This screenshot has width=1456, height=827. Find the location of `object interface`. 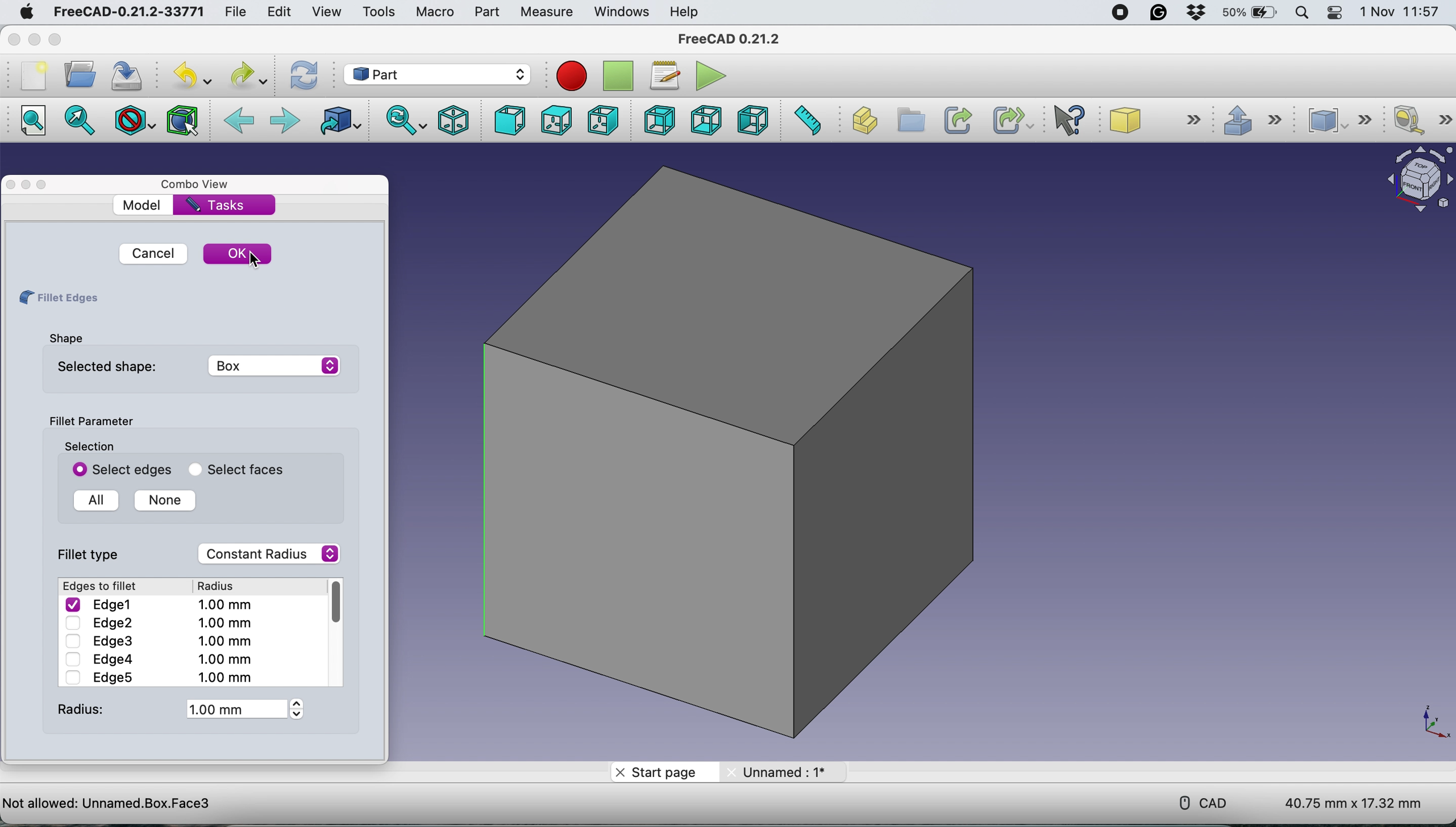

object interface is located at coordinates (1414, 182).